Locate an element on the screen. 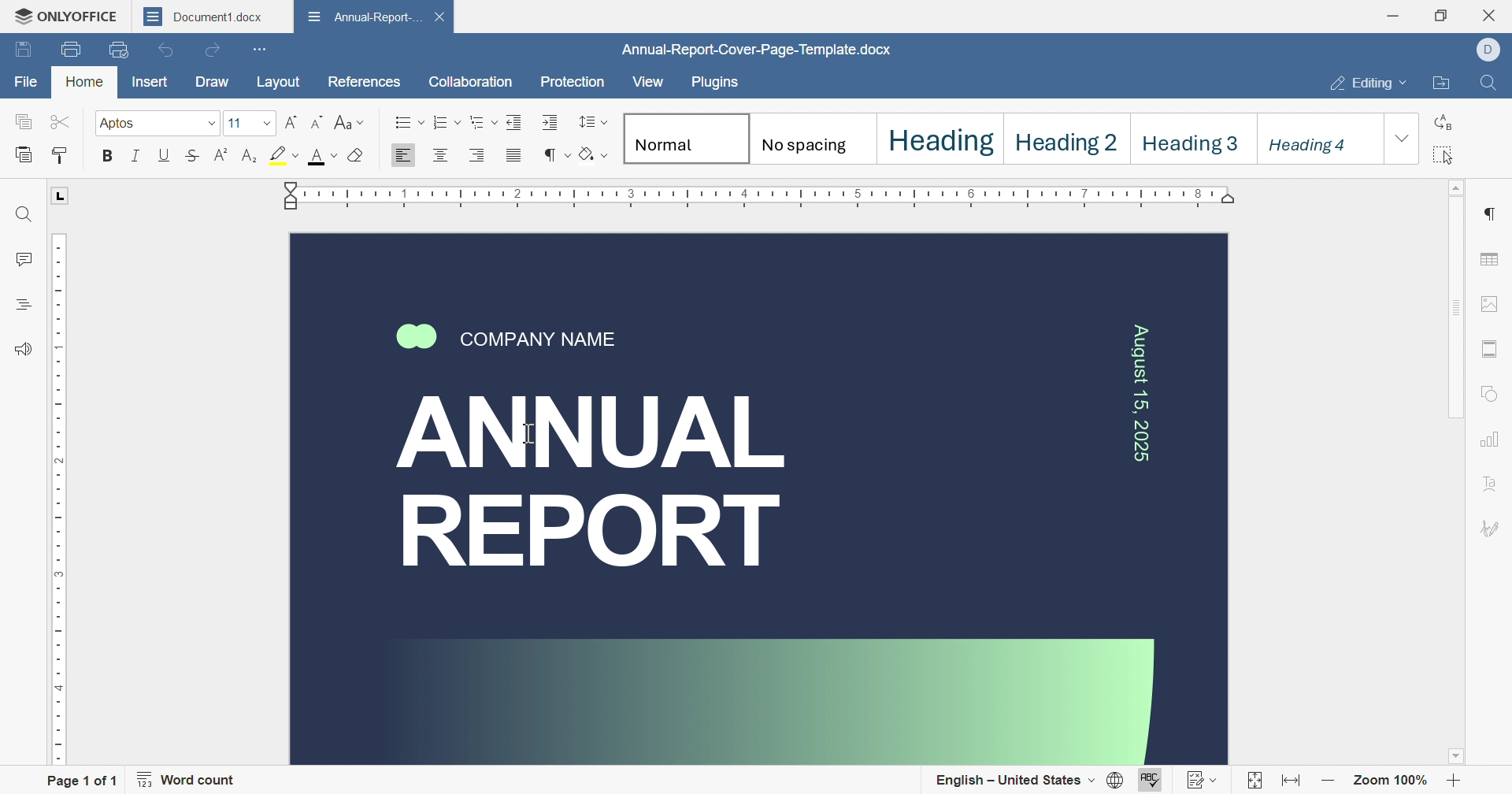 This screenshot has height=794, width=1512. paragraph settings is located at coordinates (1488, 213).